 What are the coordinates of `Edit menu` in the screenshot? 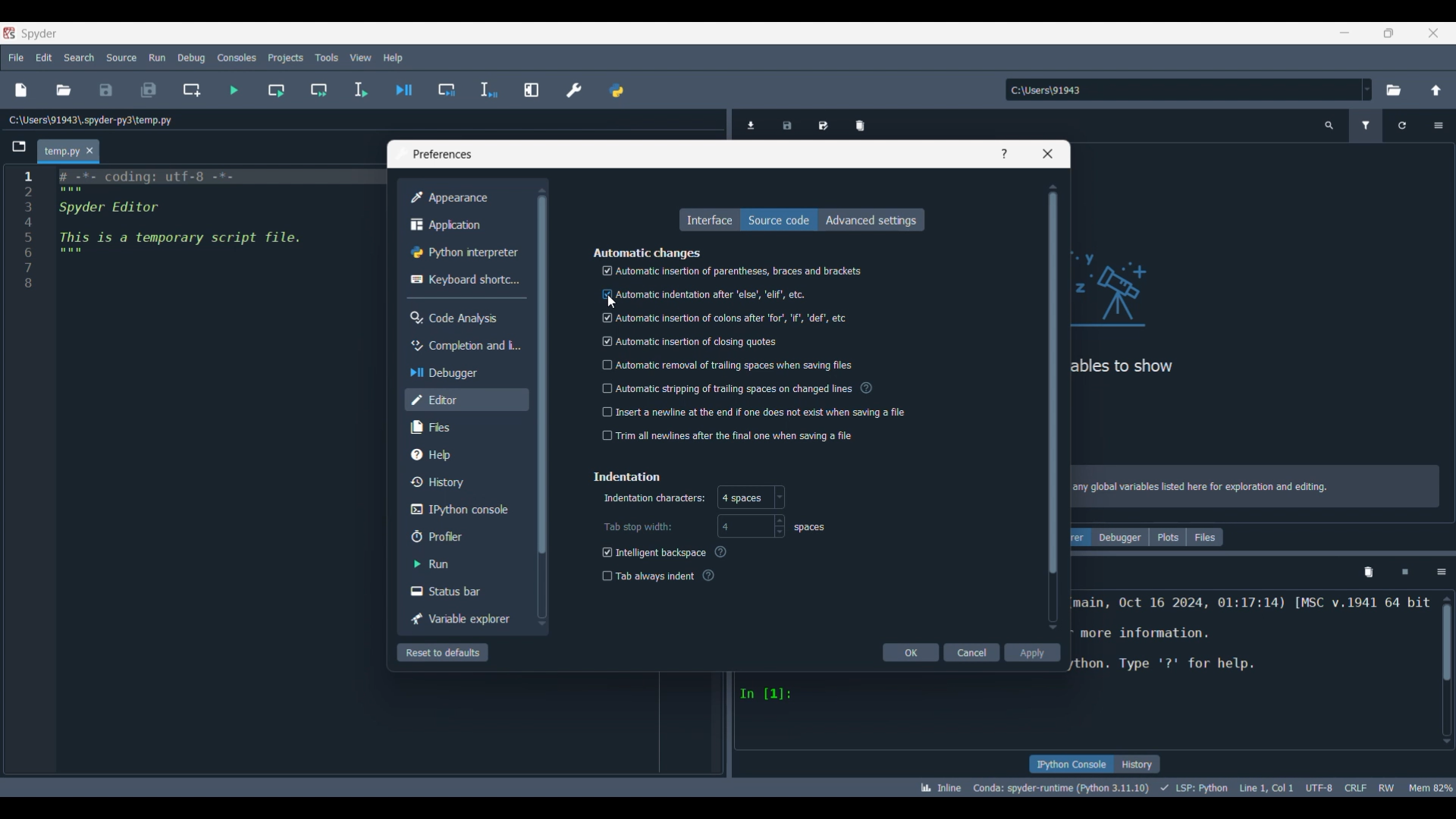 It's located at (44, 58).